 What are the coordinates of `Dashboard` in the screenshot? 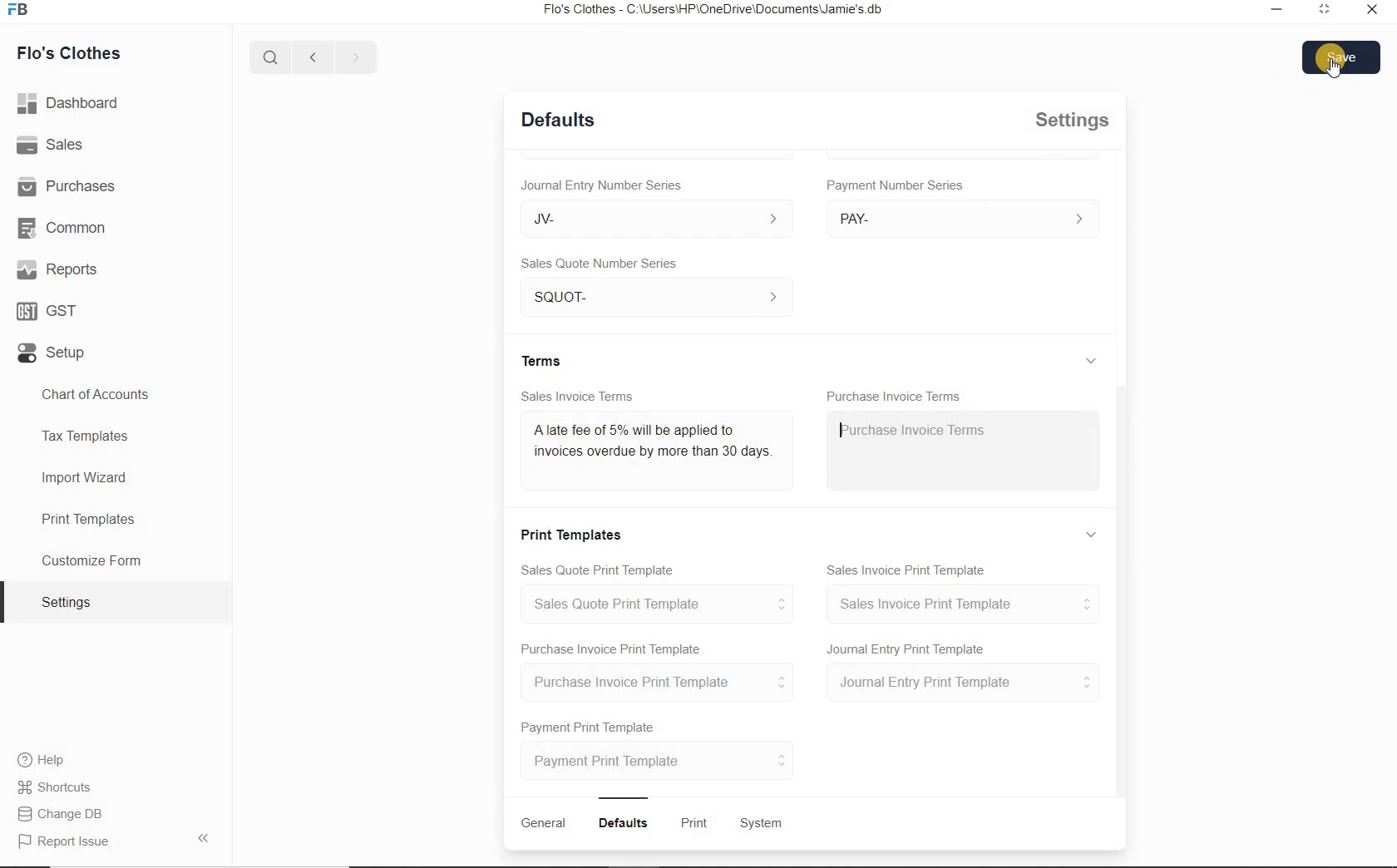 It's located at (72, 105).